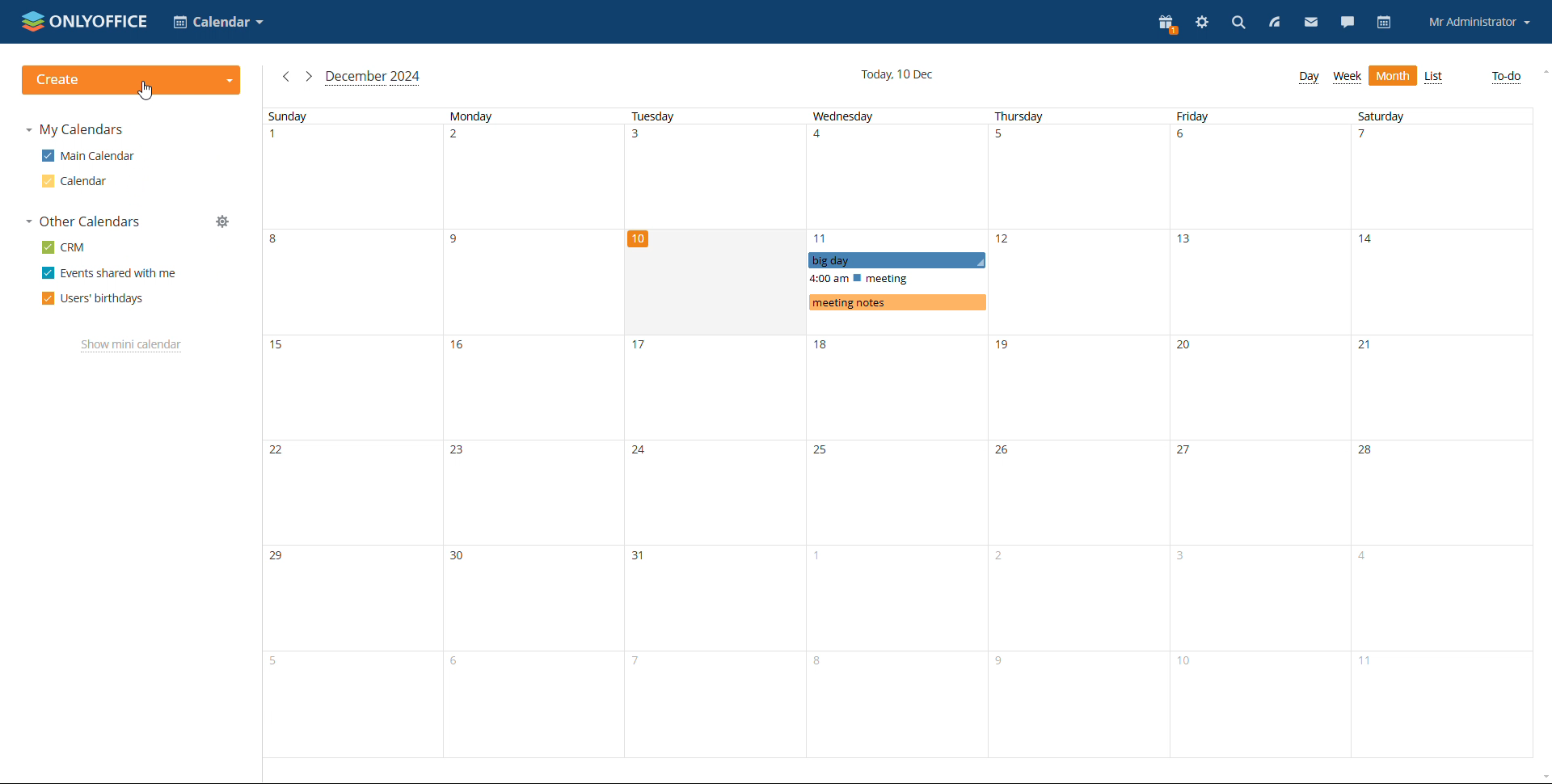  Describe the element at coordinates (132, 347) in the screenshot. I see `show mini calendar` at that location.